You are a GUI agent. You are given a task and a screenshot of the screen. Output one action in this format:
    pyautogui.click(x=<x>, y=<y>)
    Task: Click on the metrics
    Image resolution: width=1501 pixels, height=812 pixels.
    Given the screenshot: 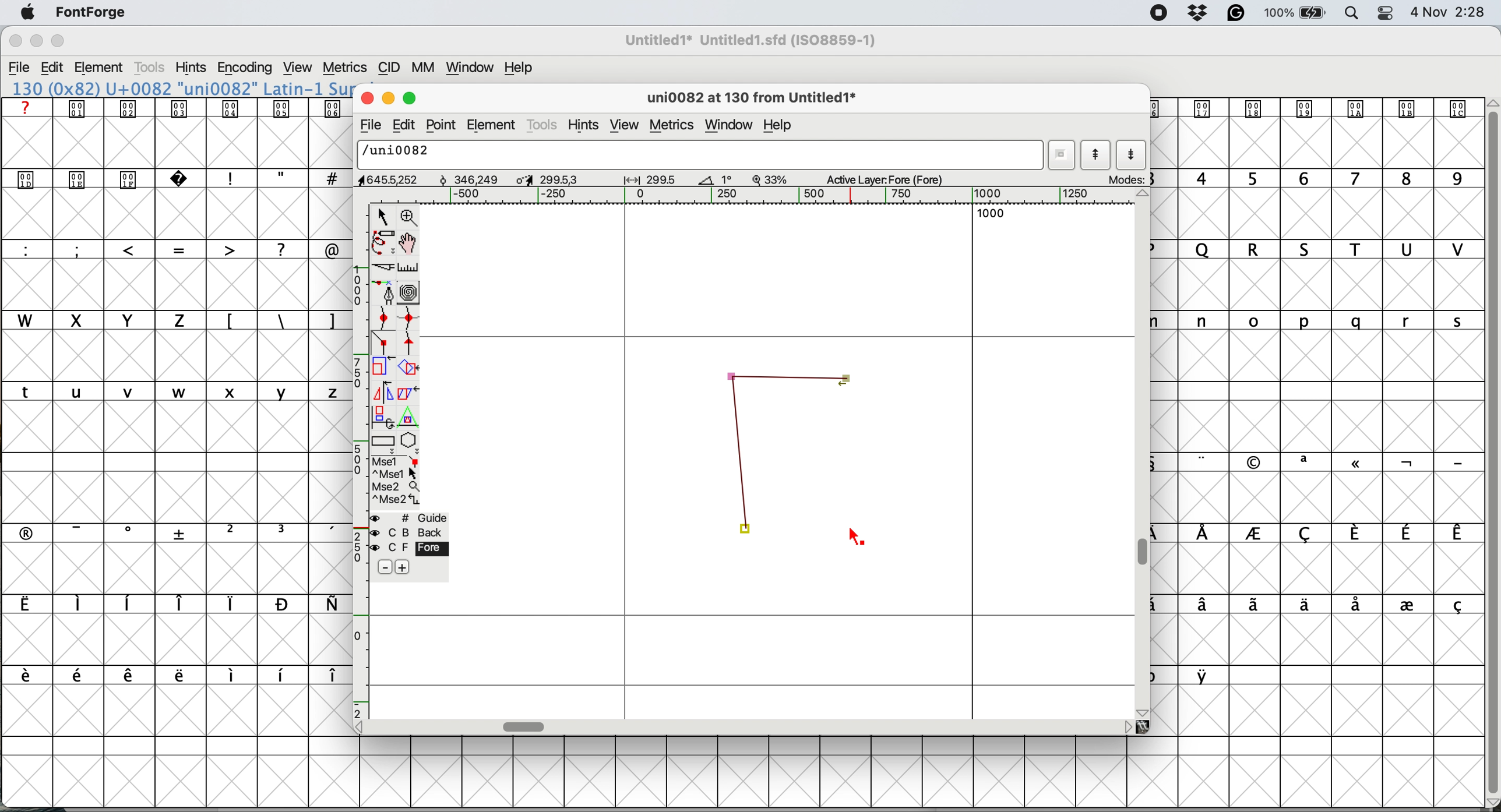 What is the action you would take?
    pyautogui.click(x=675, y=126)
    